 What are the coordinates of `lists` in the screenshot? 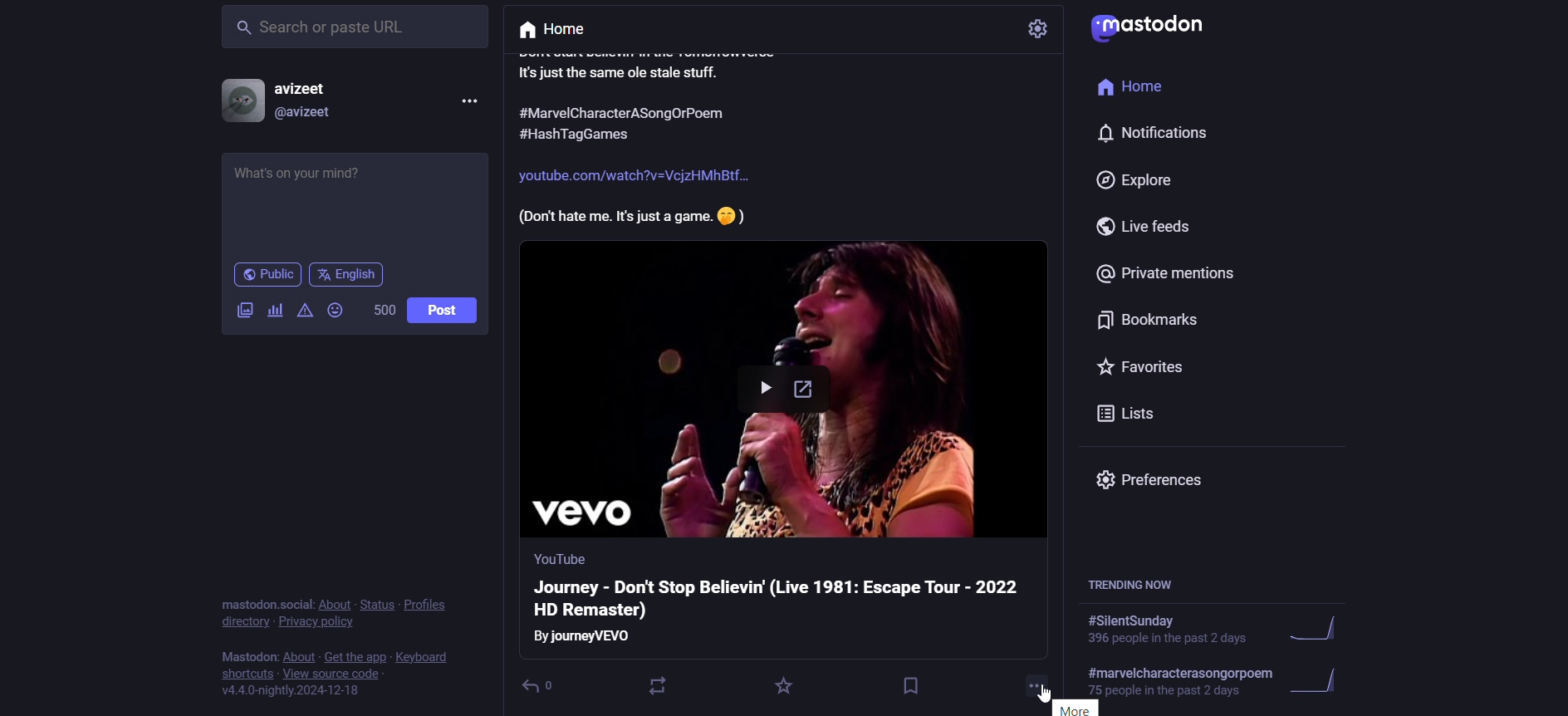 It's located at (1126, 414).